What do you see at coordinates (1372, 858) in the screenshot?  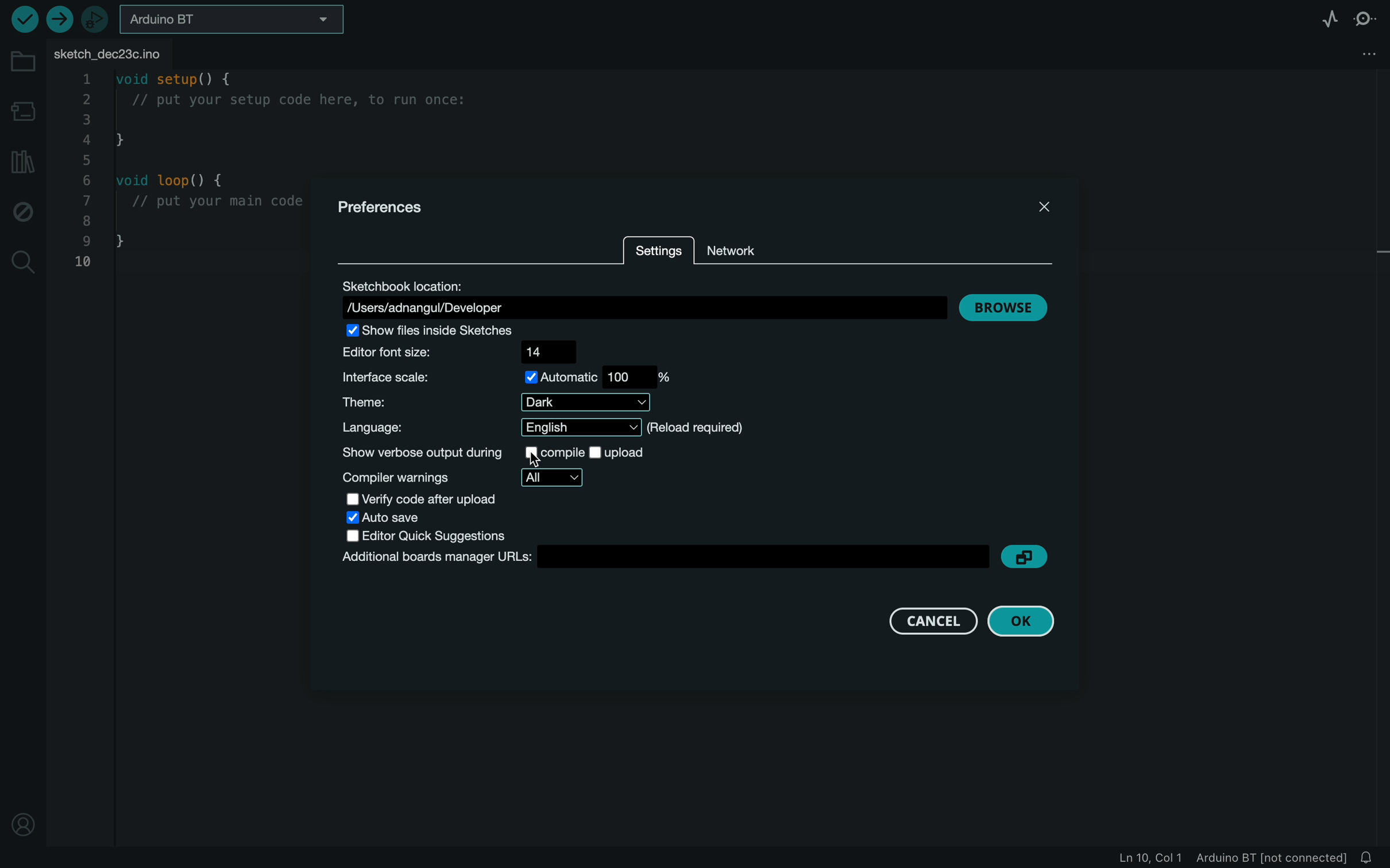 I see `notification` at bounding box center [1372, 858].